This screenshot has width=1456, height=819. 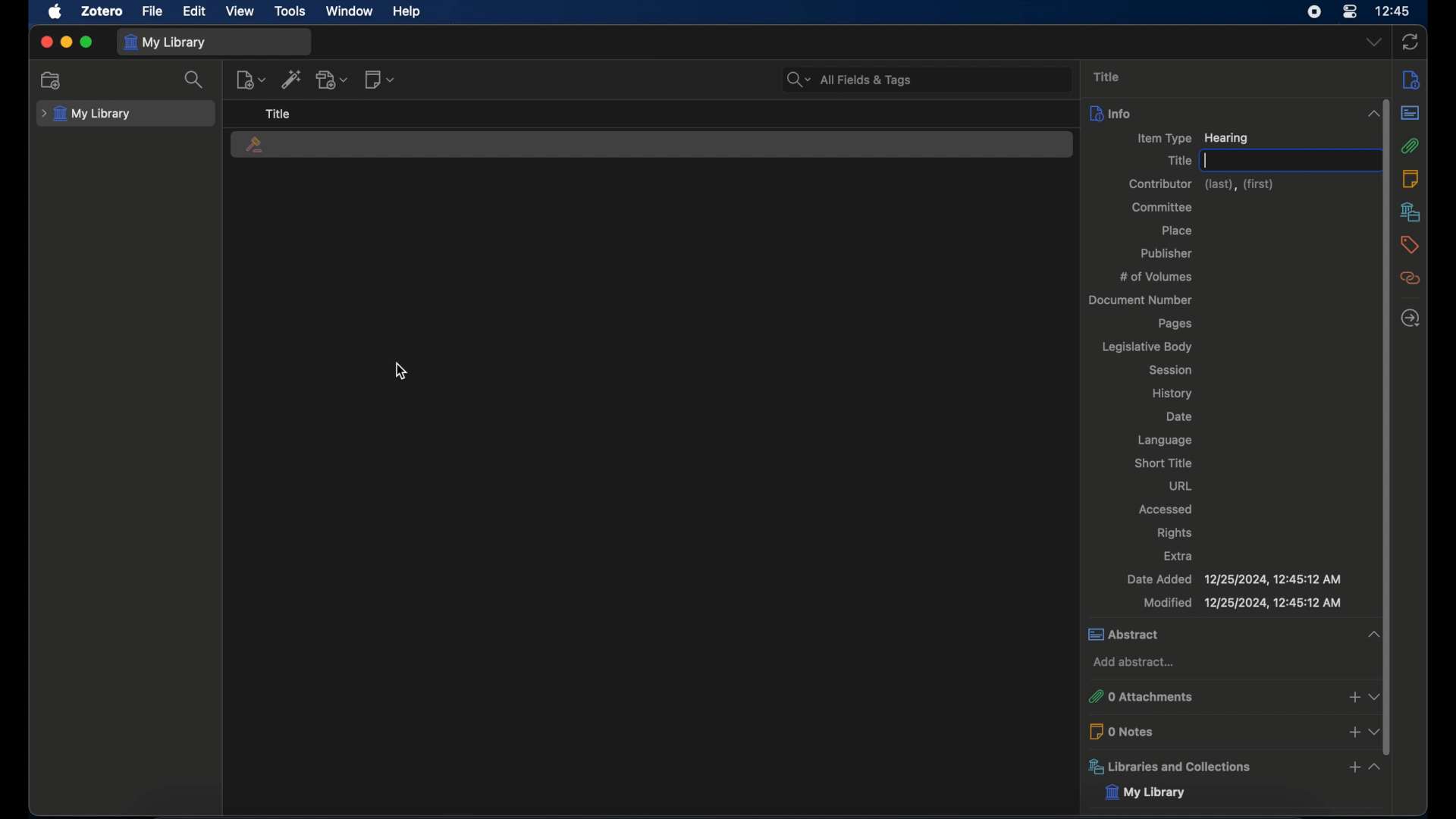 What do you see at coordinates (1146, 347) in the screenshot?
I see `legislative body` at bounding box center [1146, 347].